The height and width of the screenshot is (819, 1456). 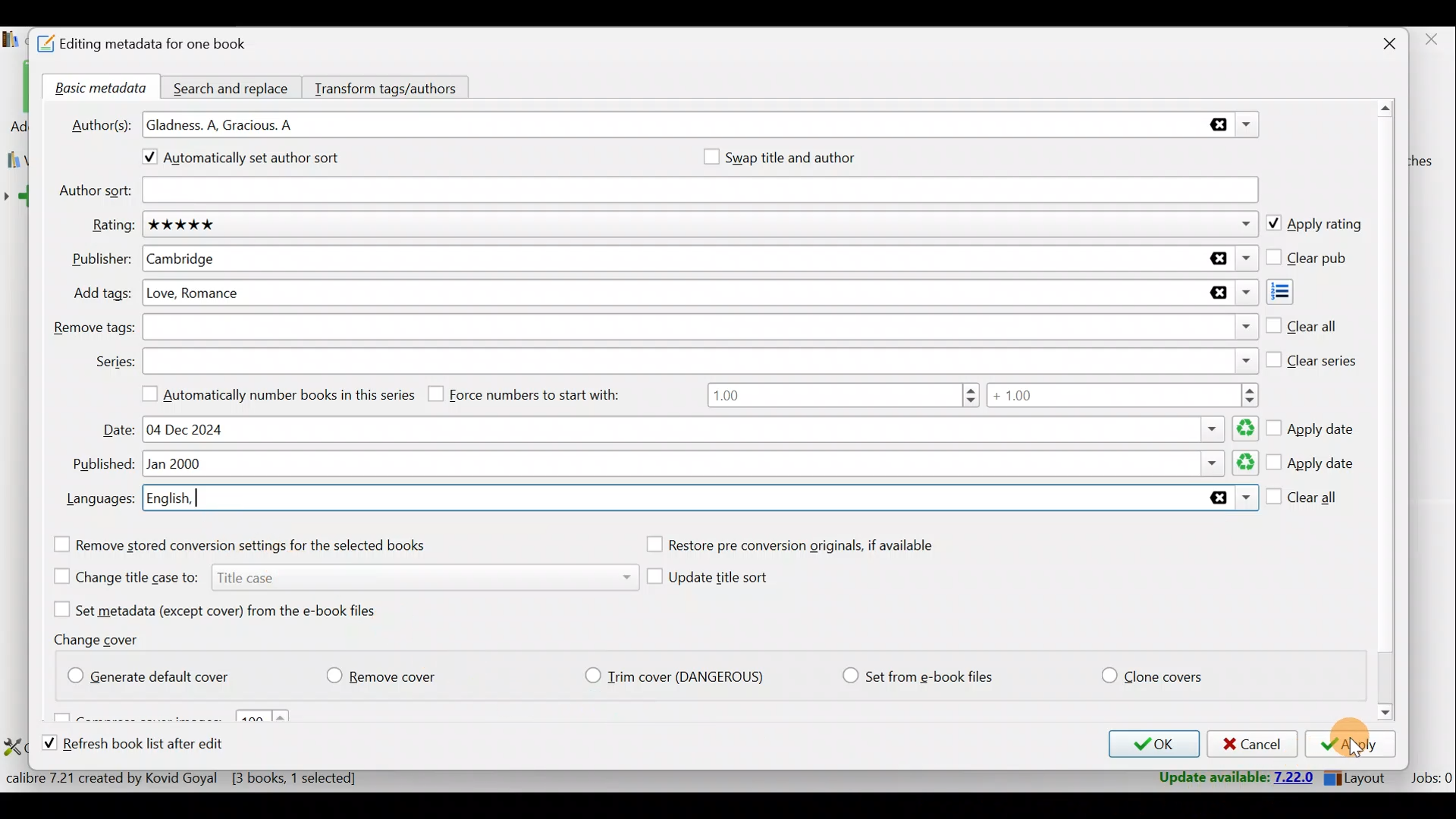 What do you see at coordinates (1313, 225) in the screenshot?
I see `Apply rating` at bounding box center [1313, 225].